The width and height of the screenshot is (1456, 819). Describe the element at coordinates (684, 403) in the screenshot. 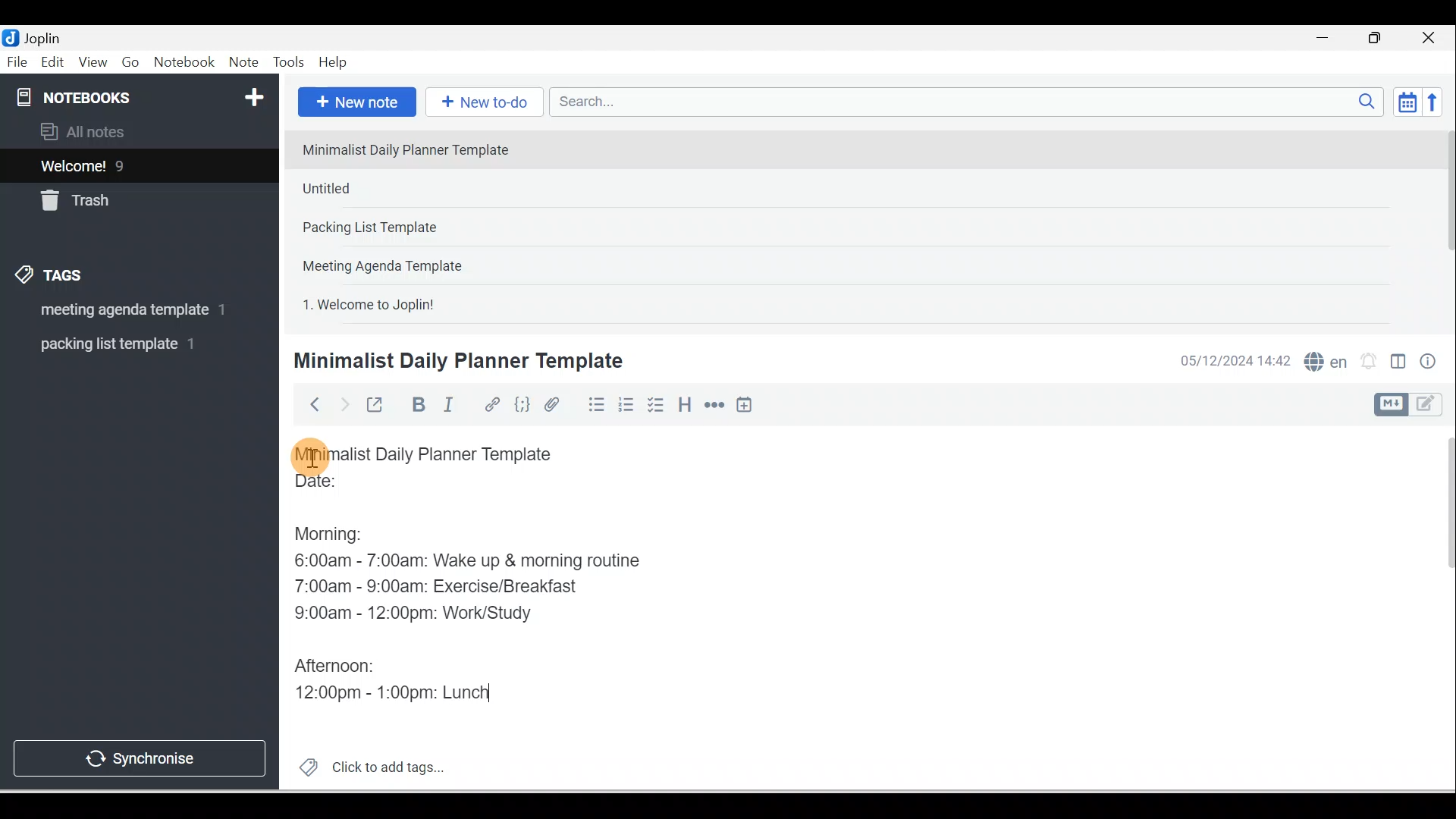

I see `Heading` at that location.